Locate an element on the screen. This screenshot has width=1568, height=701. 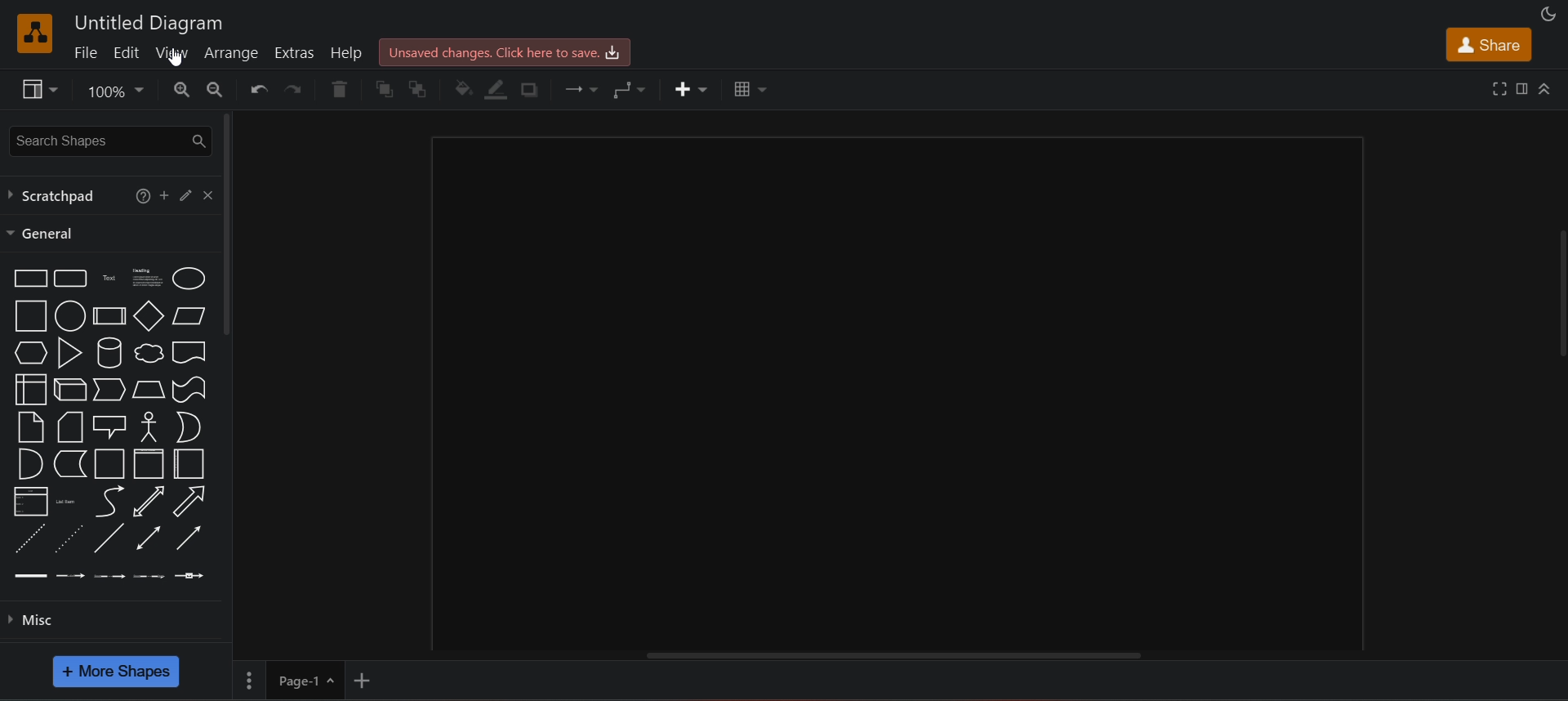
diamond is located at coordinates (148, 315).